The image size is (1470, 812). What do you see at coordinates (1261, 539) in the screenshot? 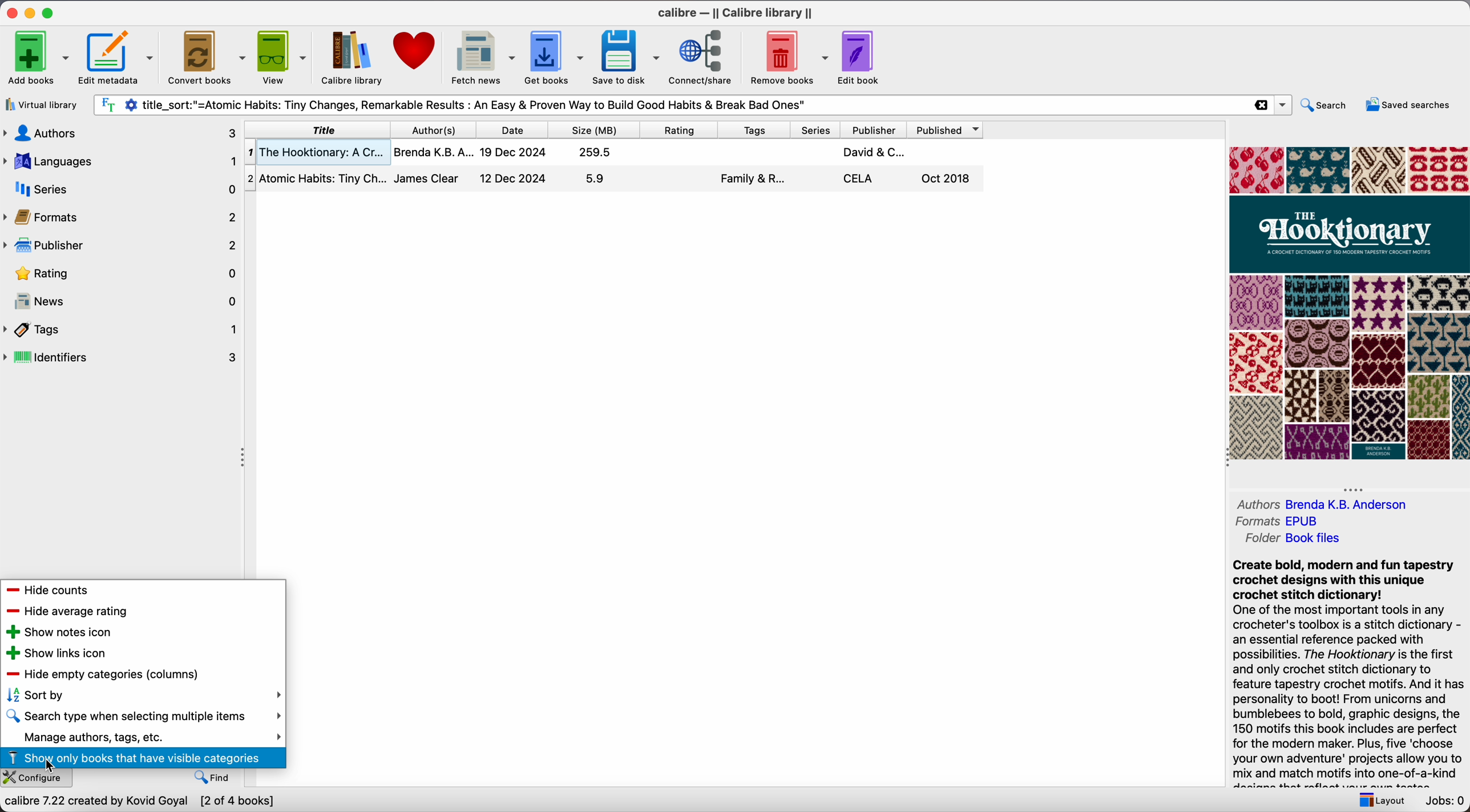
I see `Folder` at bounding box center [1261, 539].